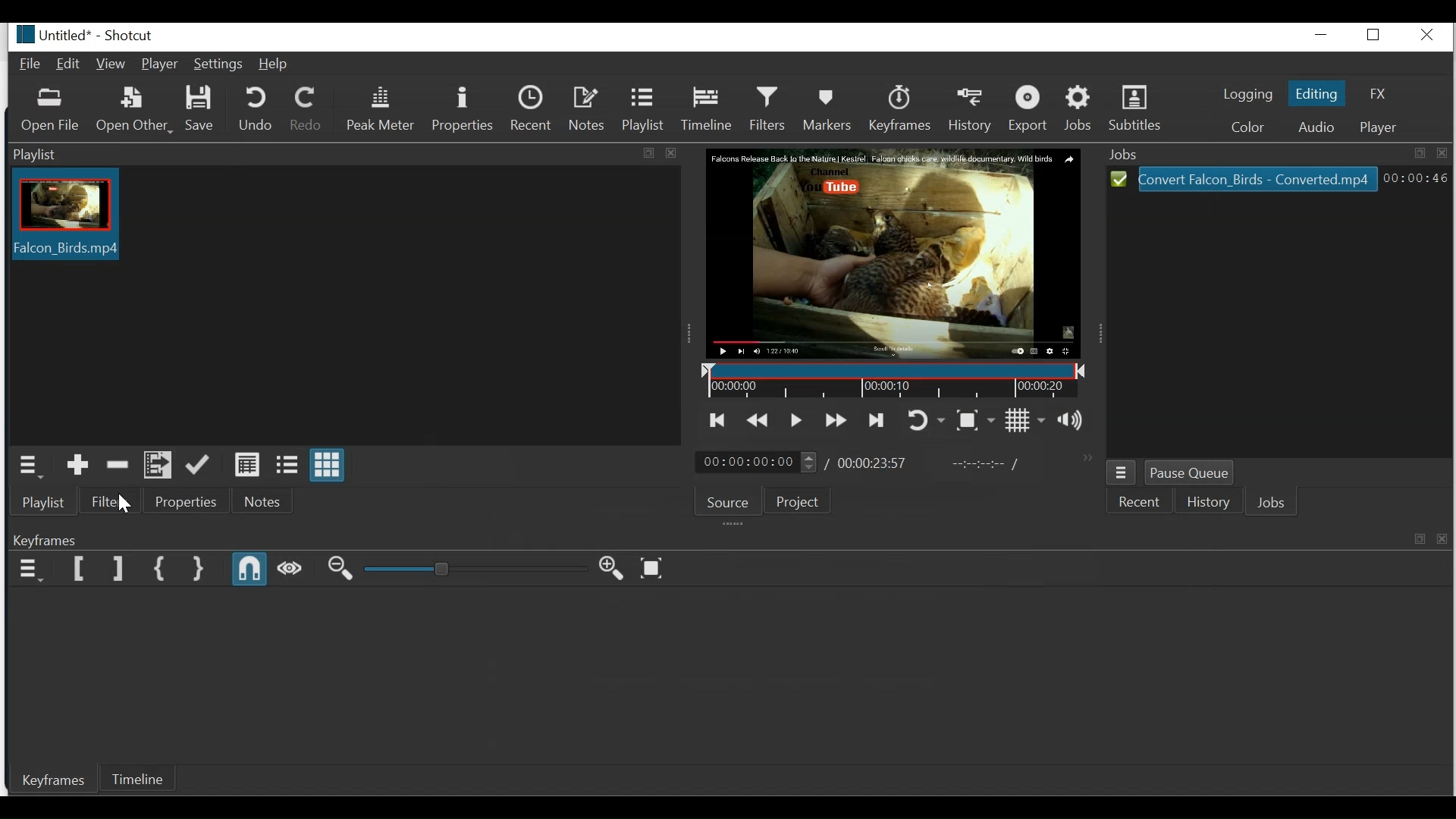 The height and width of the screenshot is (819, 1456). Describe the element at coordinates (290, 571) in the screenshot. I see `Scrub Wile dragging` at that location.